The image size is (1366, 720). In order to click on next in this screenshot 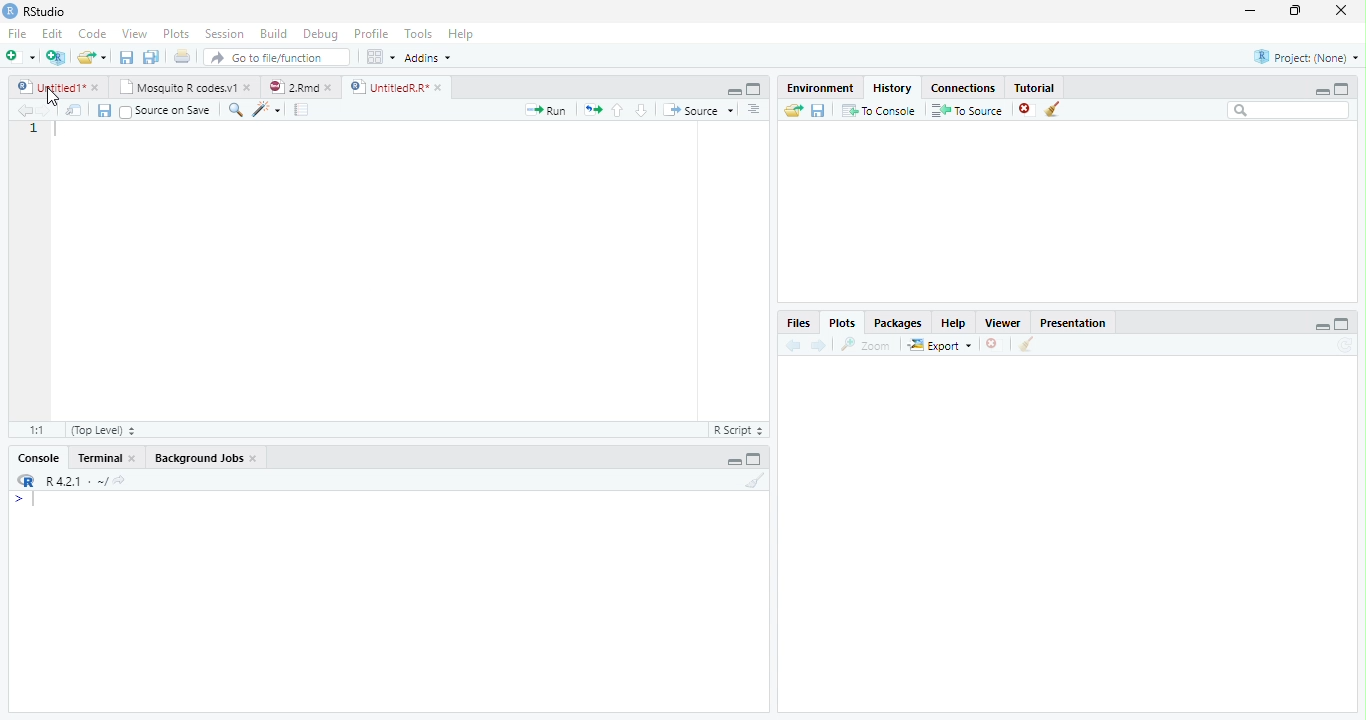, I will do `click(821, 346)`.